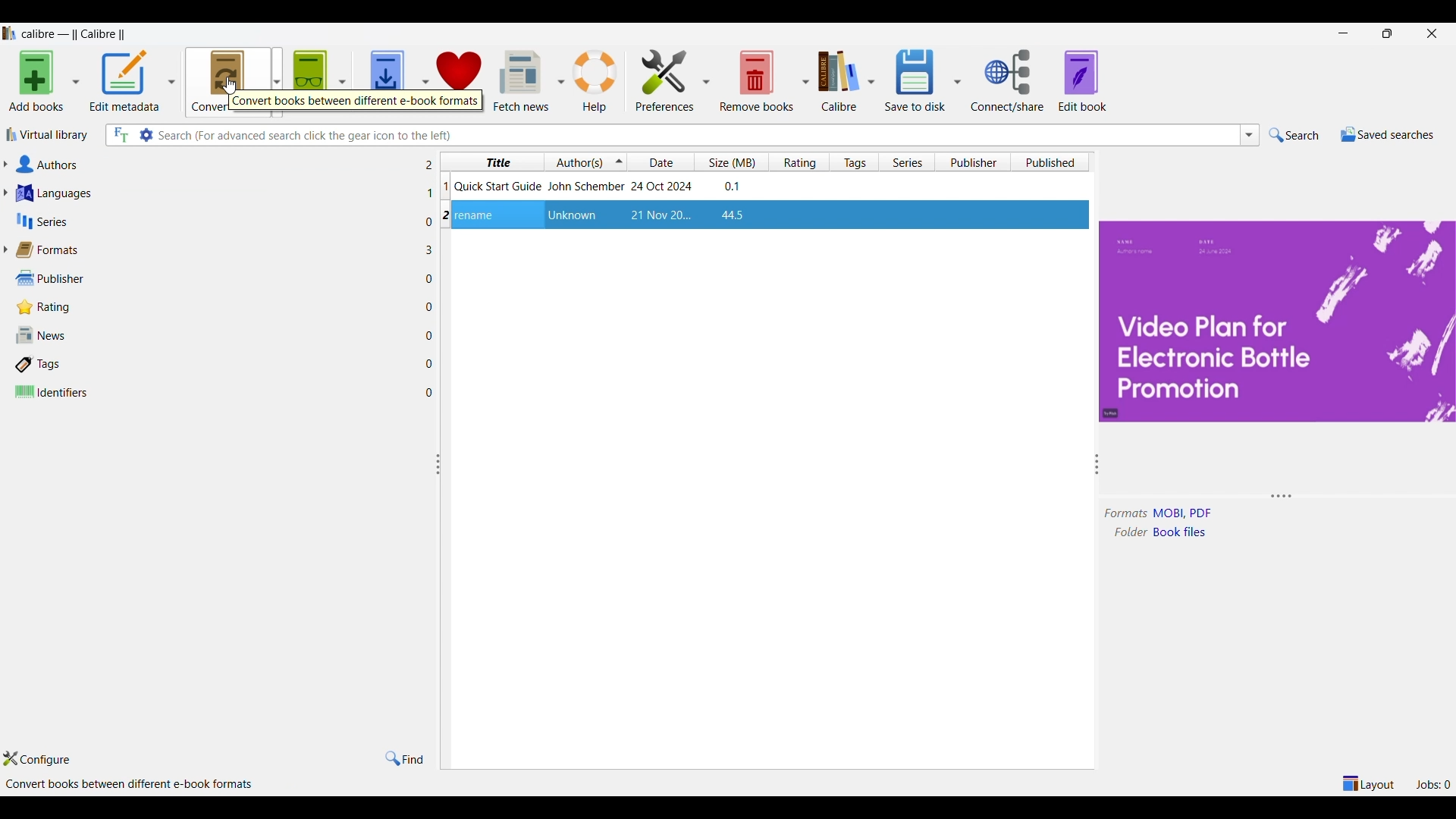  I want to click on Details of software, so click(125, 785).